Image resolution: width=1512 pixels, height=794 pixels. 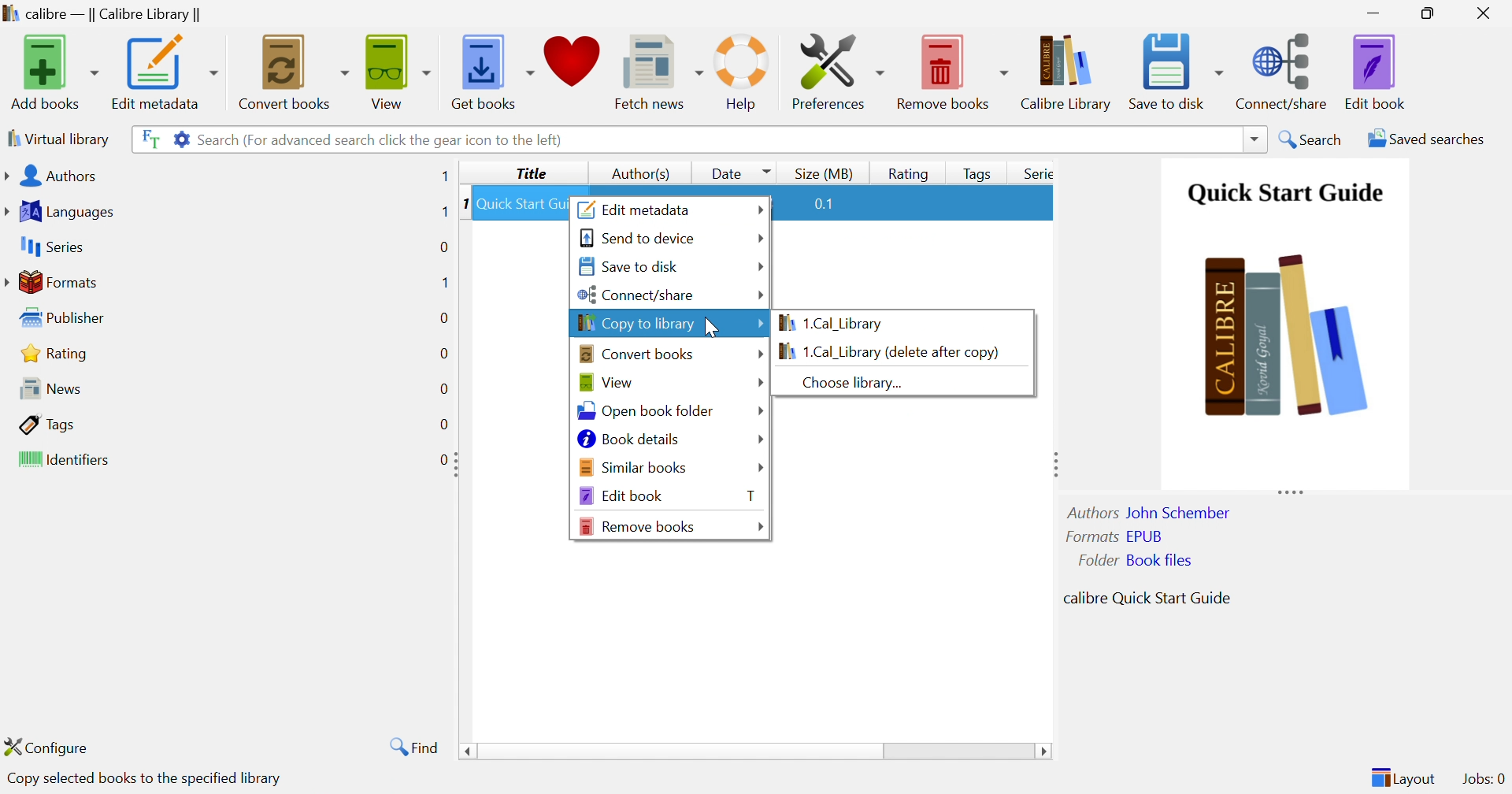 What do you see at coordinates (52, 280) in the screenshot?
I see `Formats` at bounding box center [52, 280].